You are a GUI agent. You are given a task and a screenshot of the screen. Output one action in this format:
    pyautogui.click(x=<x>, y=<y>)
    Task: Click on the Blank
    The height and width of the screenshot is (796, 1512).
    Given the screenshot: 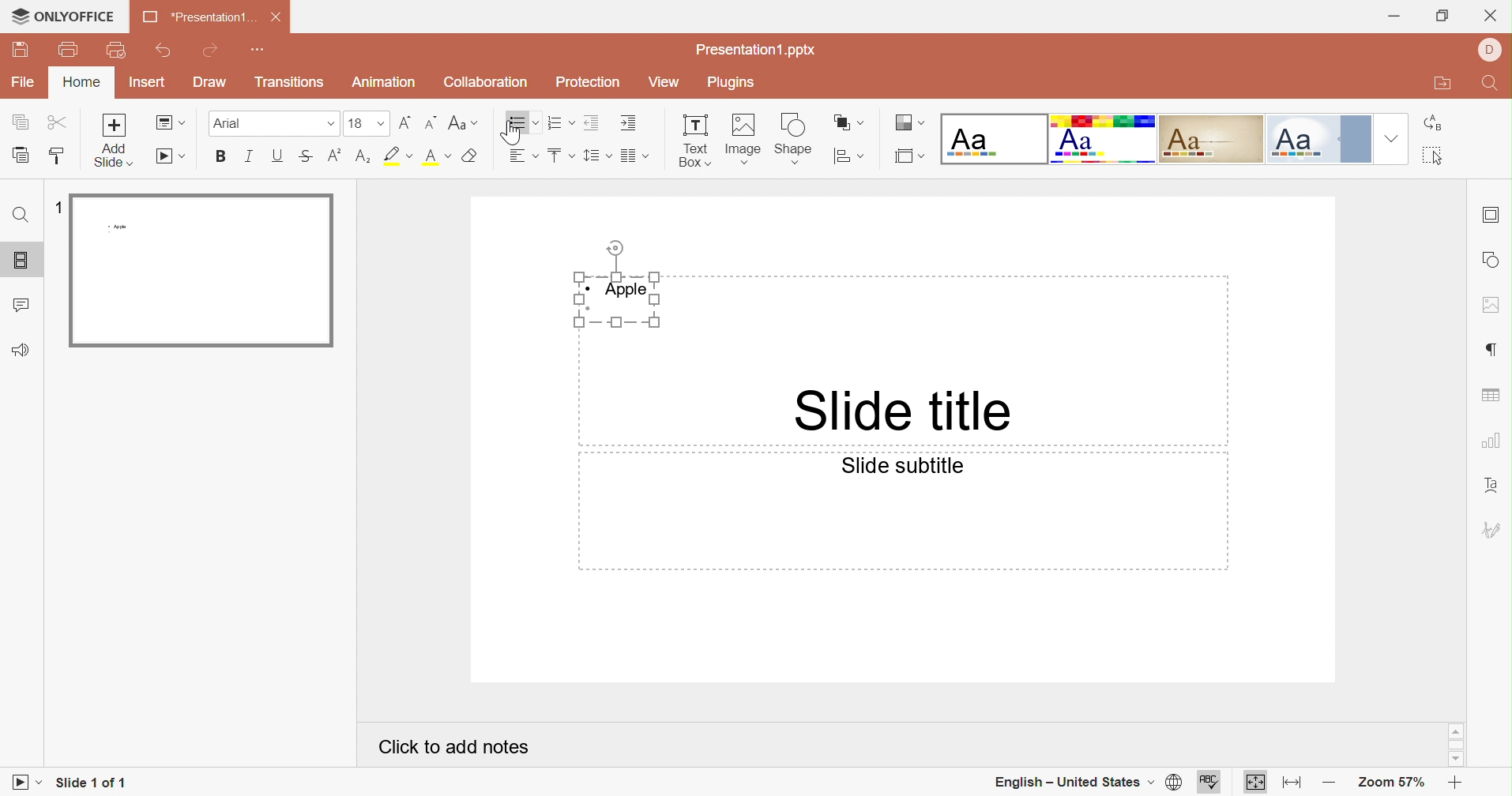 What is the action you would take?
    pyautogui.click(x=995, y=139)
    